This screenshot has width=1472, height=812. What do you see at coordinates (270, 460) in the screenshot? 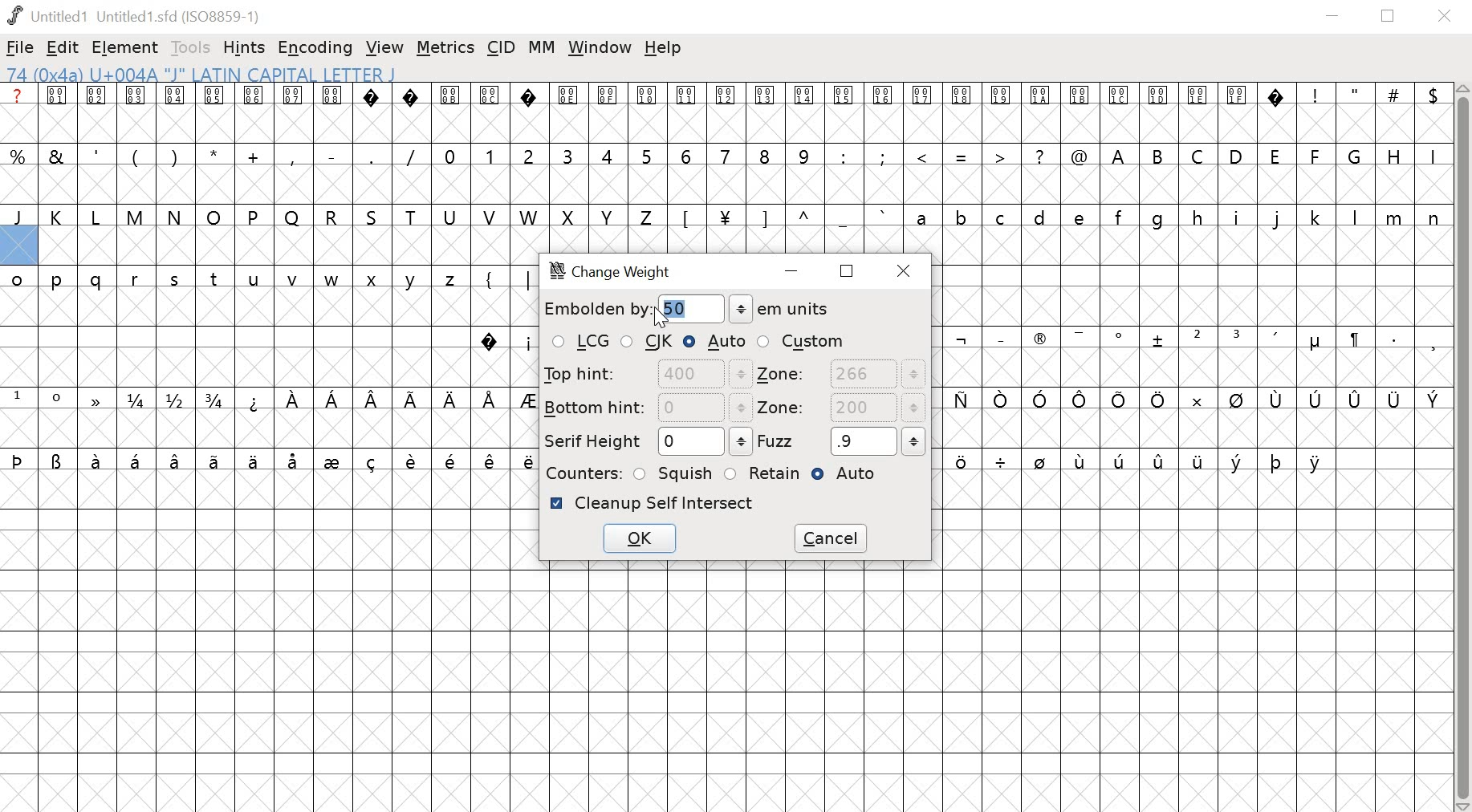
I see `symbols` at bounding box center [270, 460].